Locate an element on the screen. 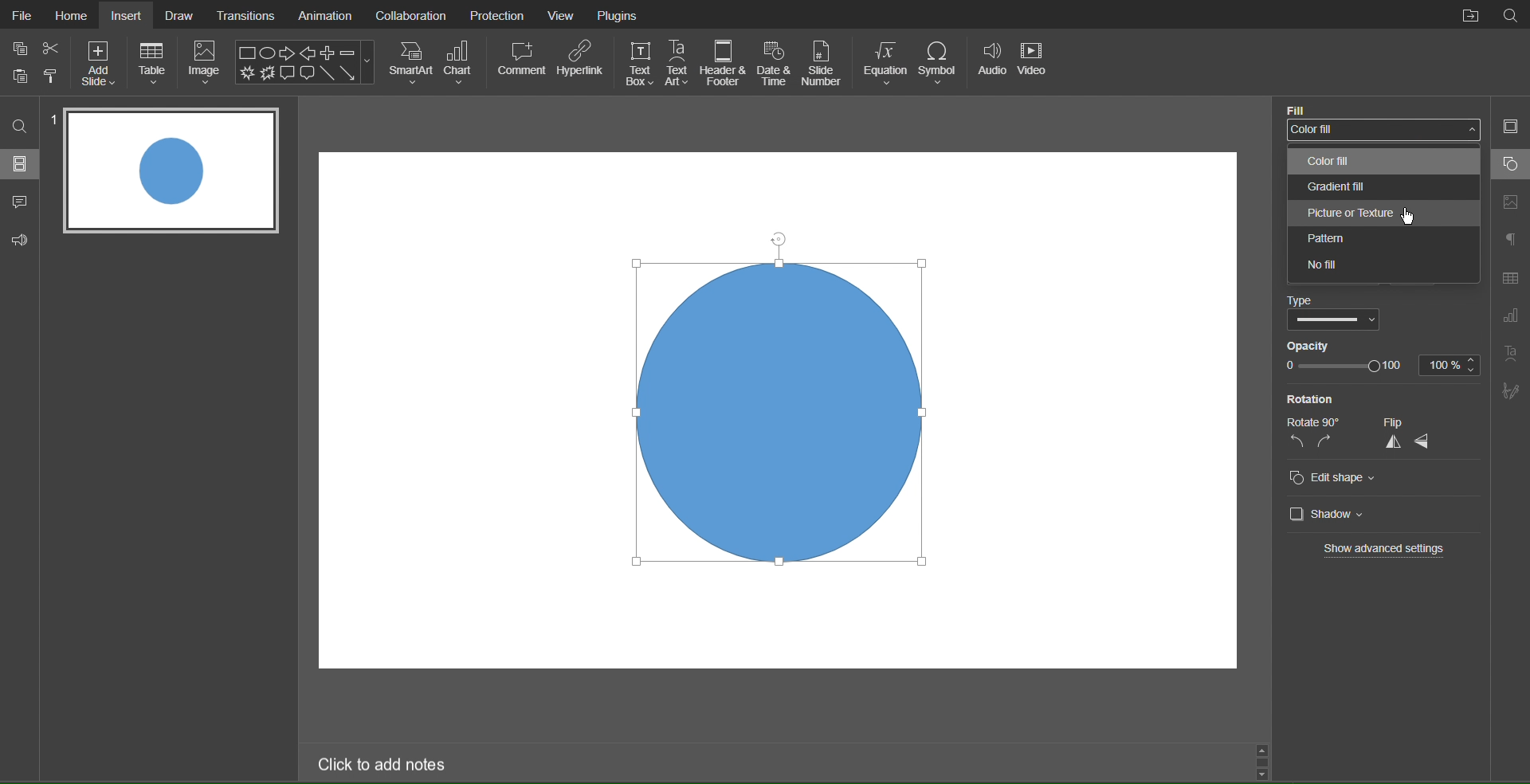 This screenshot has width=1530, height=784. Insert is located at coordinates (127, 14).